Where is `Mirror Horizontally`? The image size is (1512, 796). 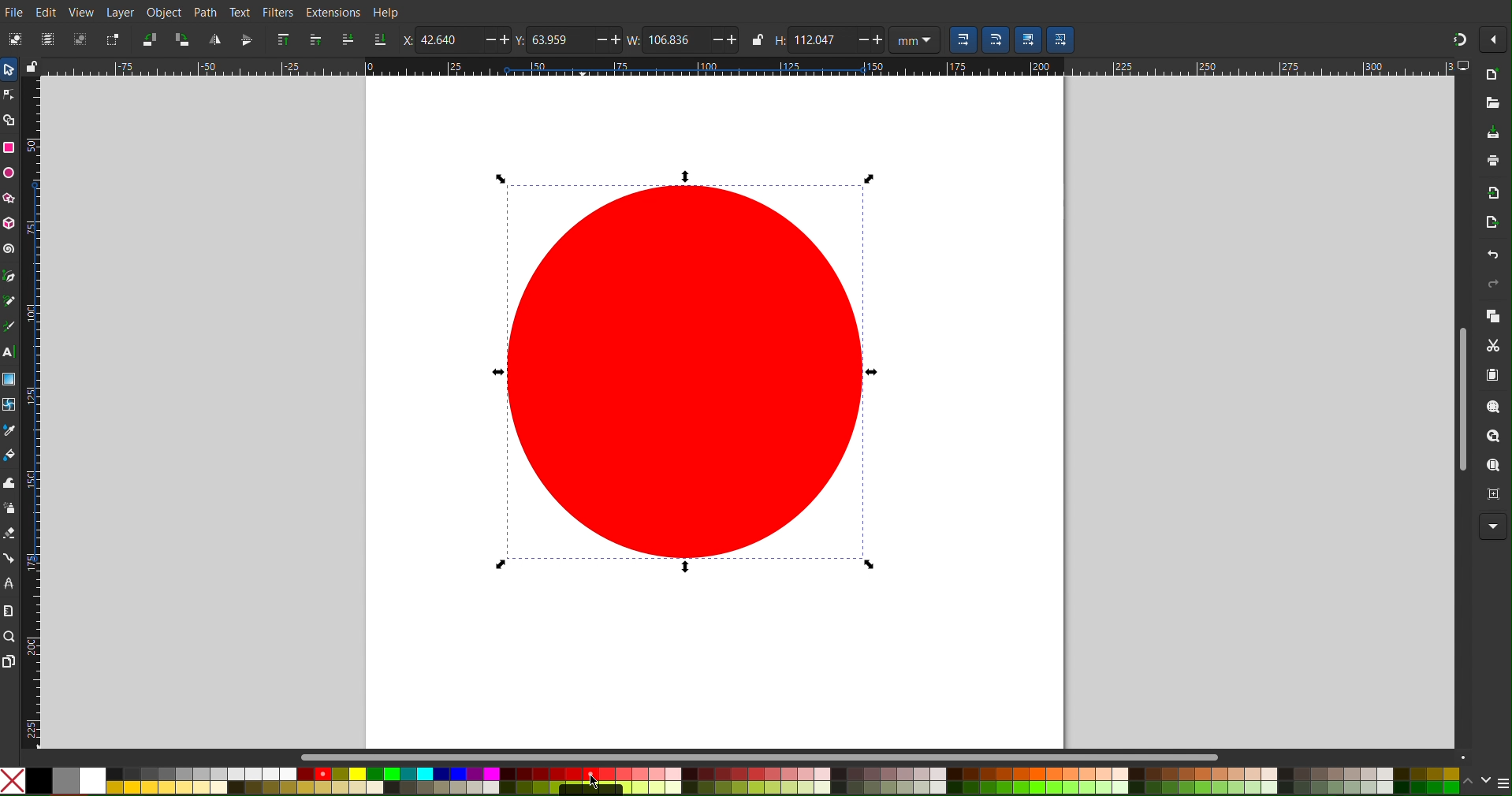 Mirror Horizontally is located at coordinates (247, 40).